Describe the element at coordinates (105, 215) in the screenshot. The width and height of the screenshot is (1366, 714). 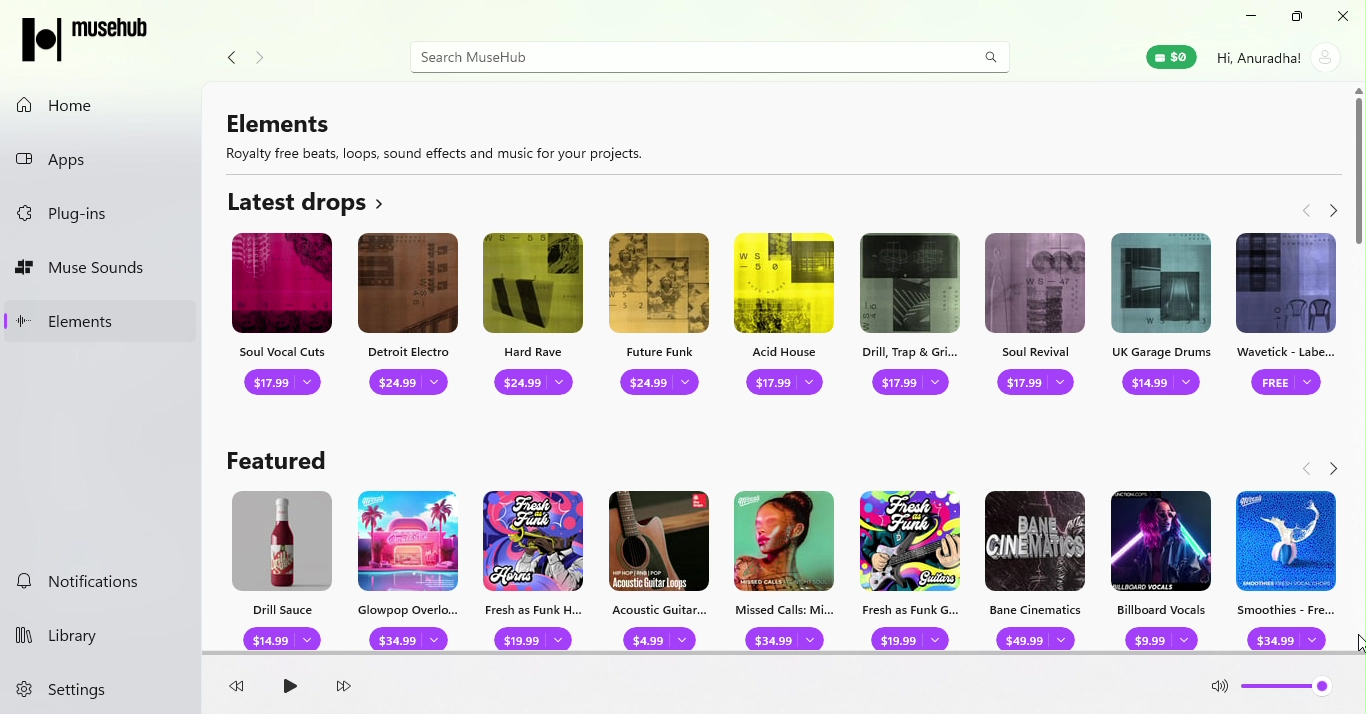
I see `Plug-ins` at that location.